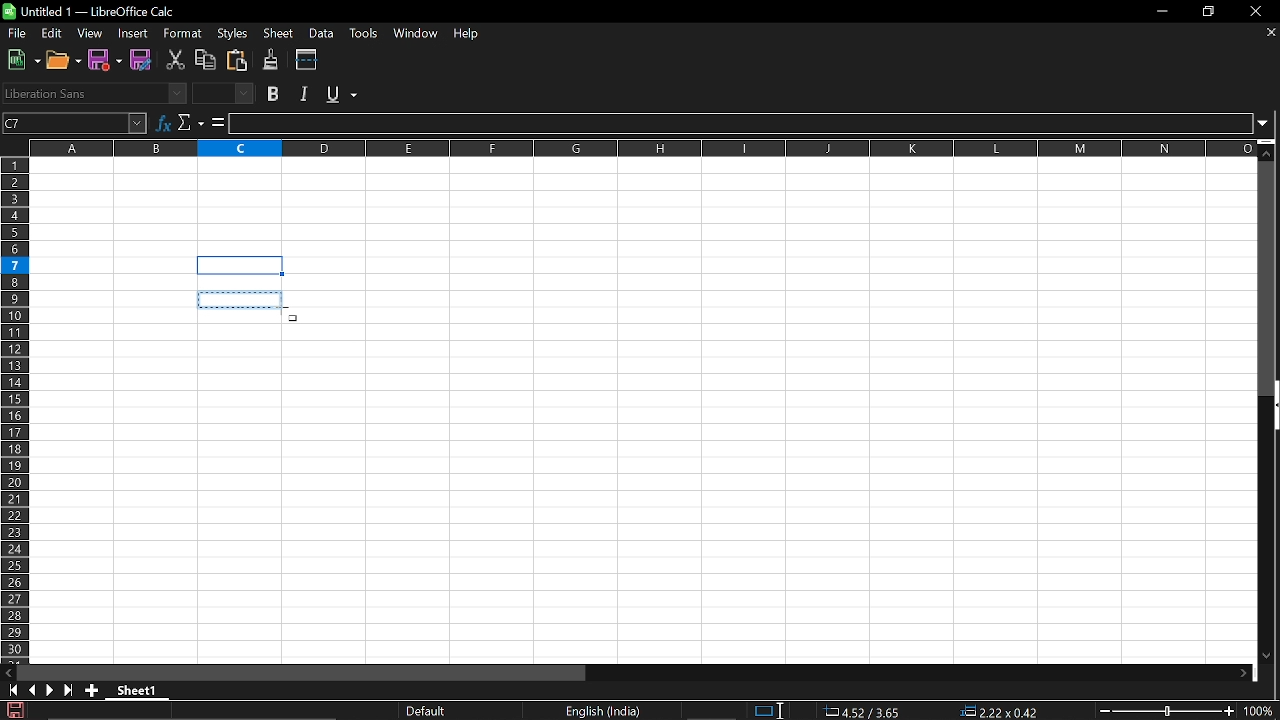  What do you see at coordinates (1269, 278) in the screenshot?
I see `Vertical scrollbar` at bounding box center [1269, 278].